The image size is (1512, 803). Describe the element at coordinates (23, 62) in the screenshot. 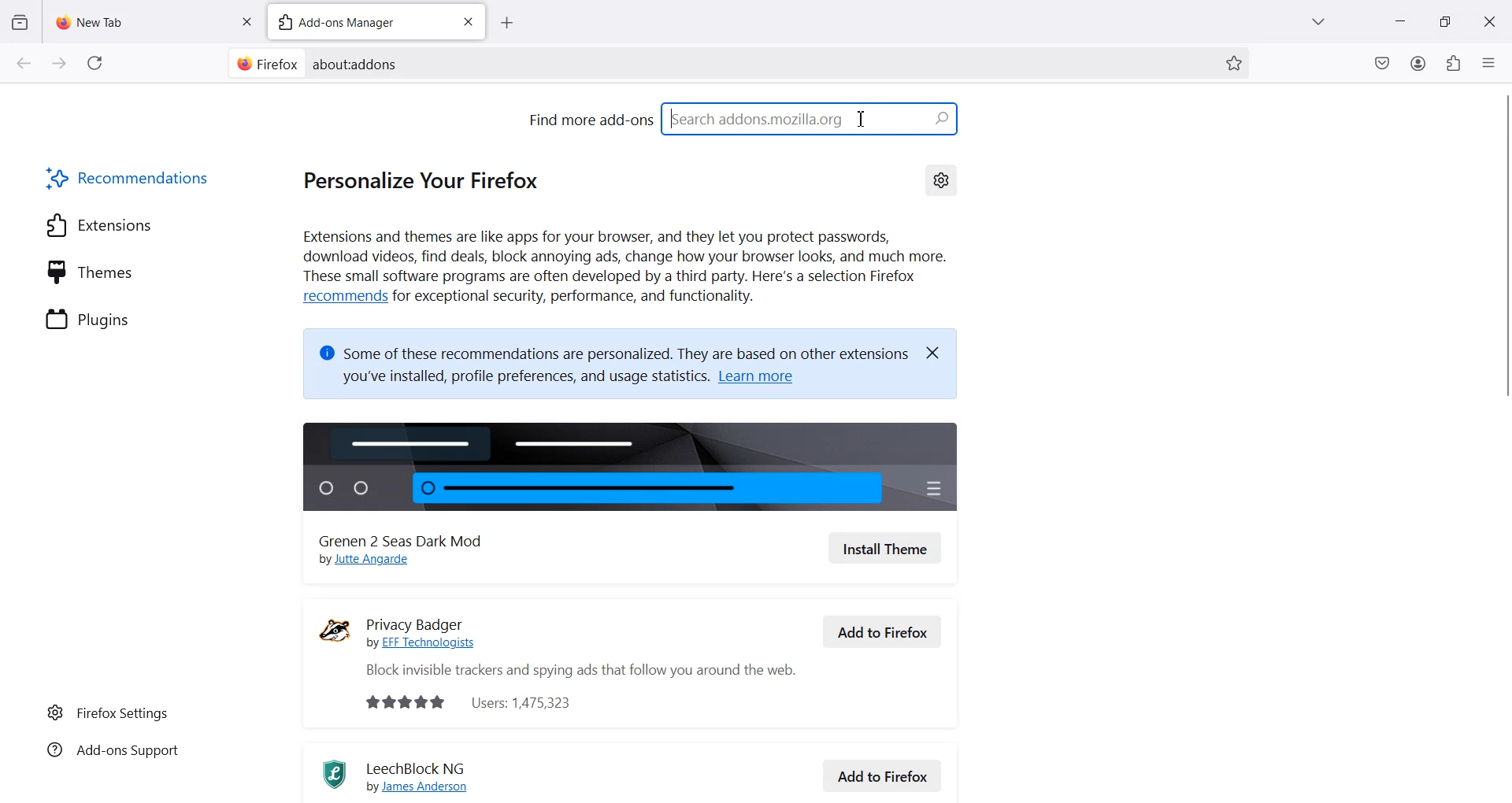

I see `Go back to one page` at that location.